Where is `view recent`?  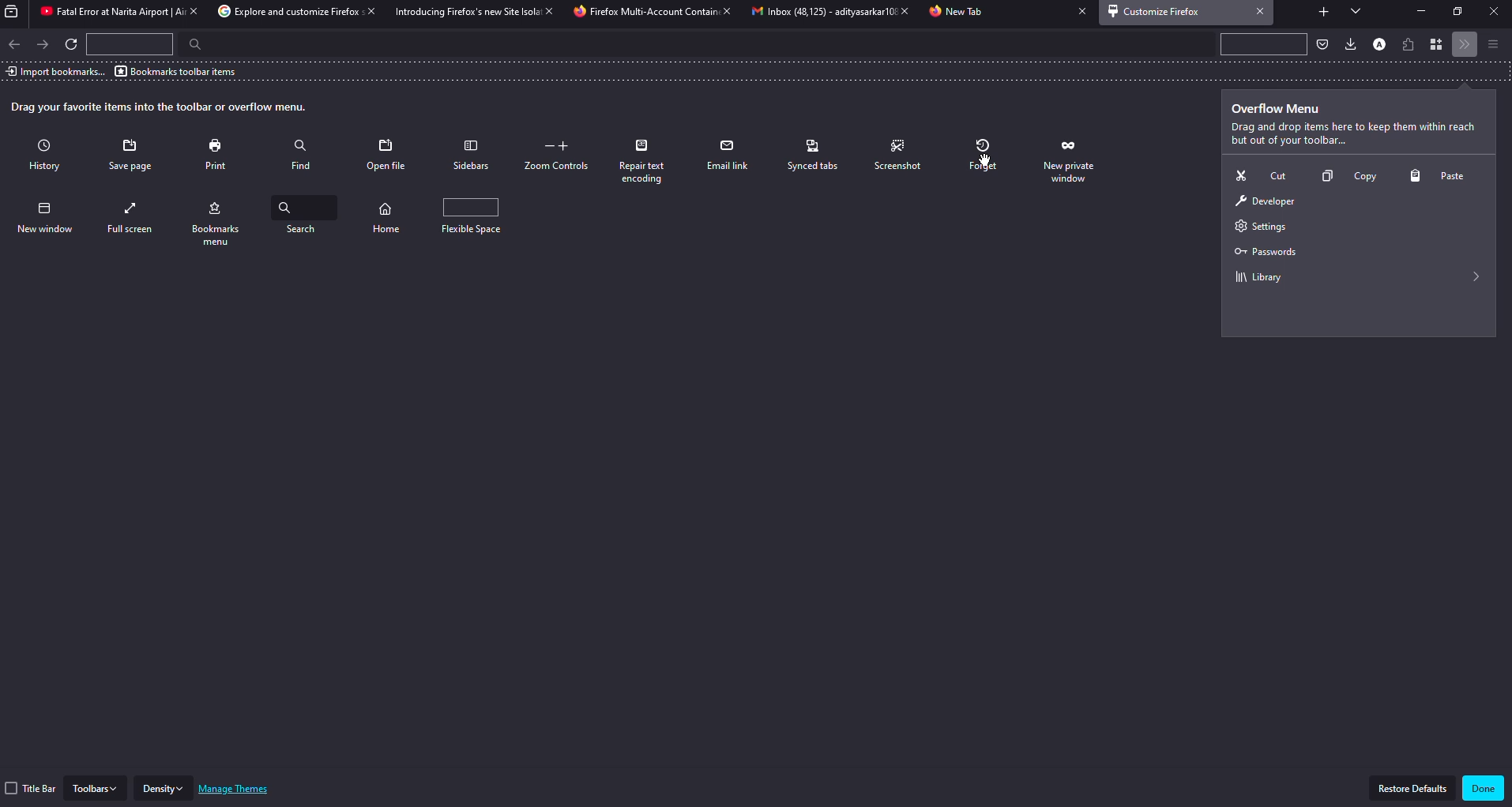
view recent is located at coordinates (14, 12).